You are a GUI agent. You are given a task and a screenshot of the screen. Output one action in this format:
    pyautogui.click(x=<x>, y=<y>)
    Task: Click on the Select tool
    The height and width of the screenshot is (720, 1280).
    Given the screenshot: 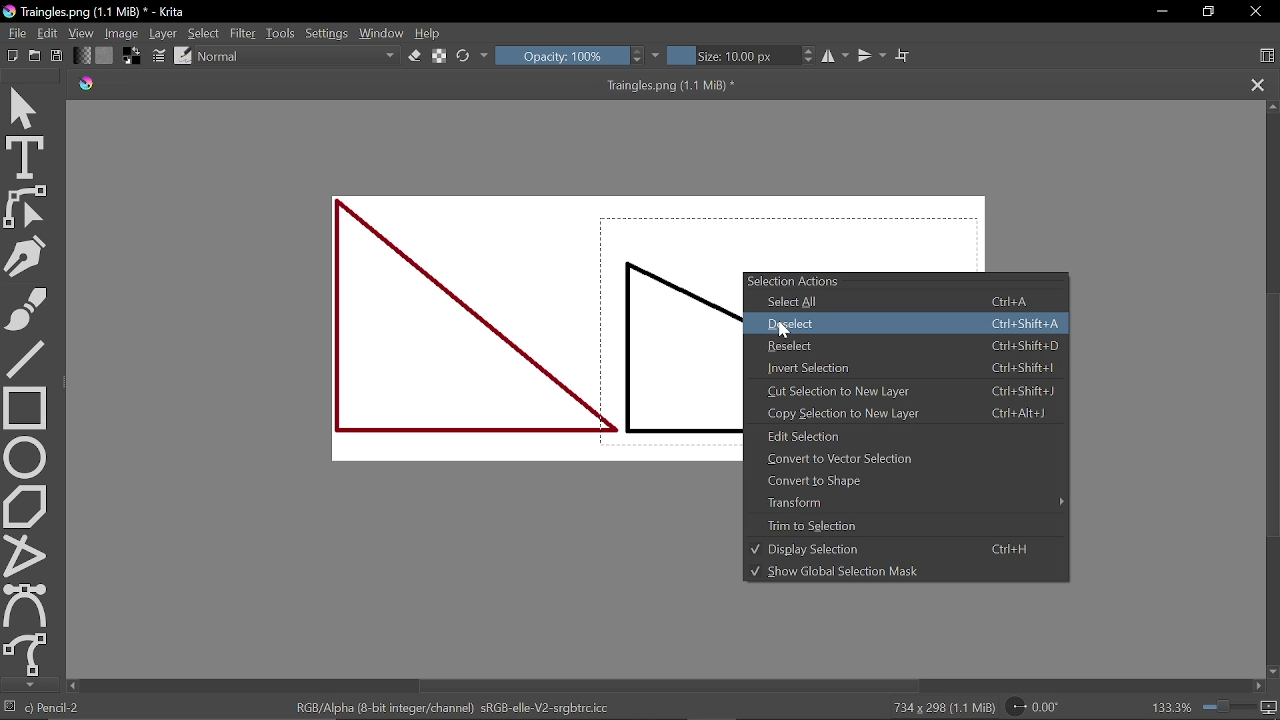 What is the action you would take?
    pyautogui.click(x=26, y=109)
    